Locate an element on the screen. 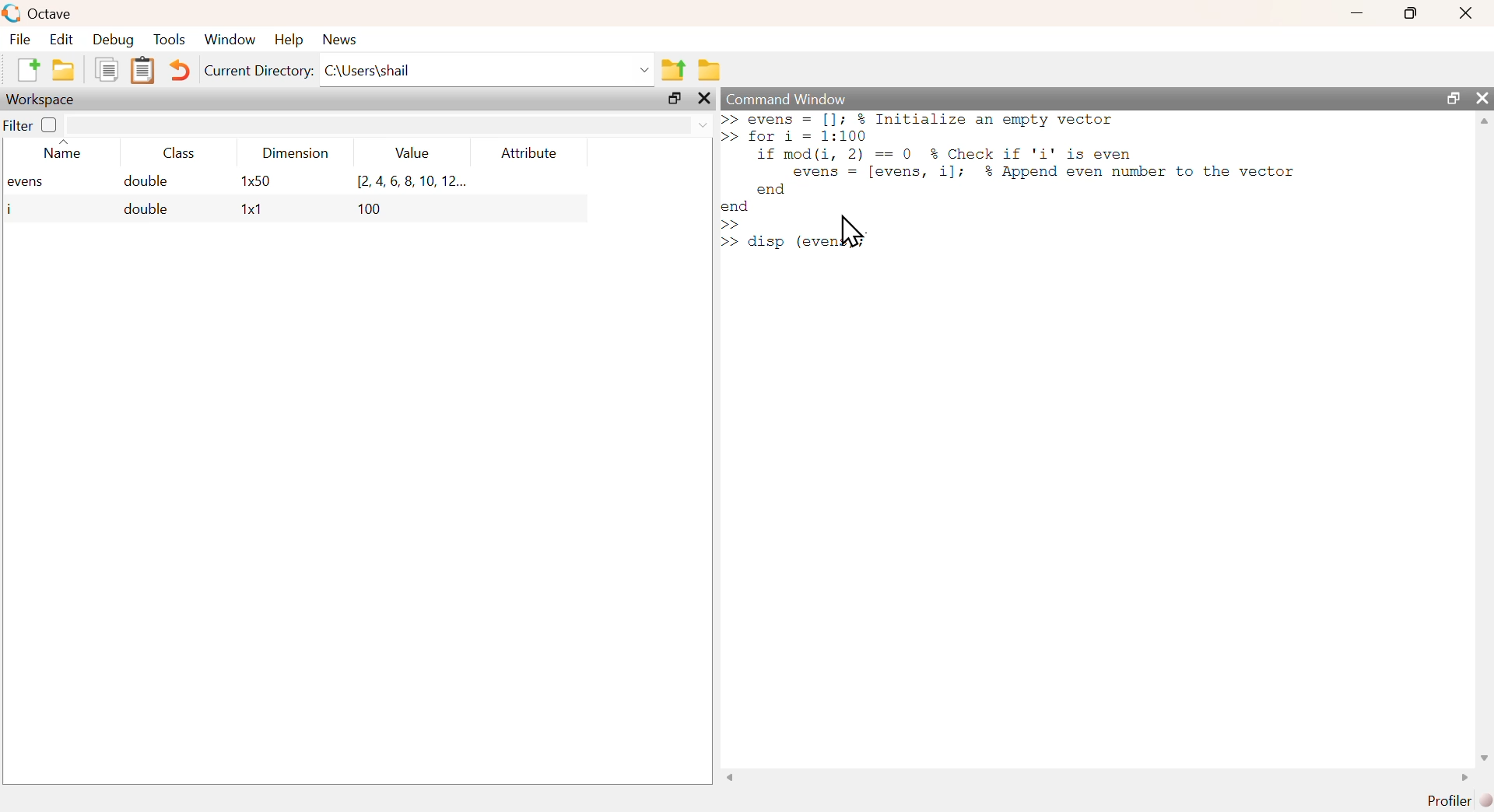 This screenshot has height=812, width=1494. cursor is located at coordinates (852, 232).